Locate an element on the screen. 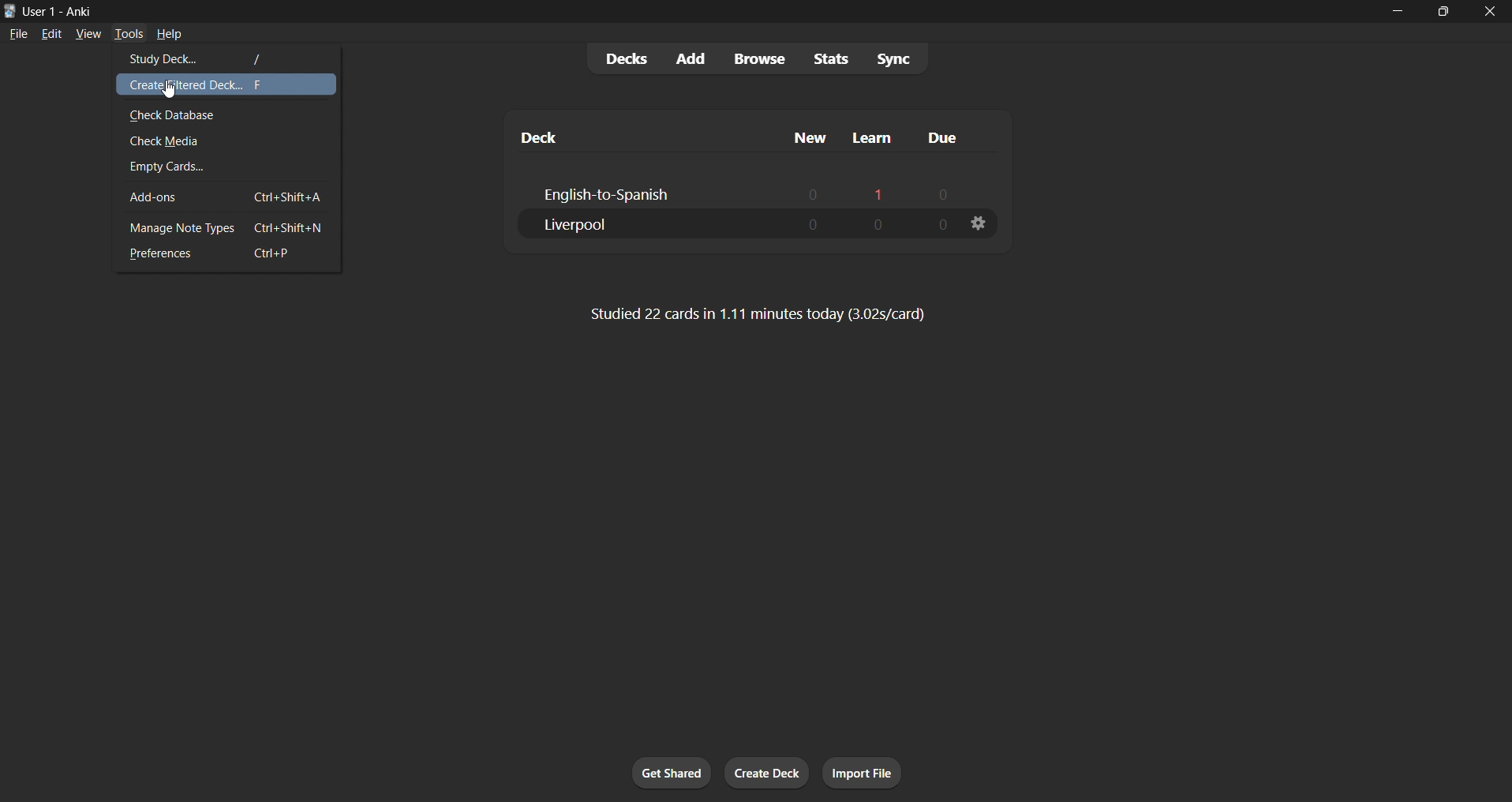  english-to-spanish is located at coordinates (623, 194).